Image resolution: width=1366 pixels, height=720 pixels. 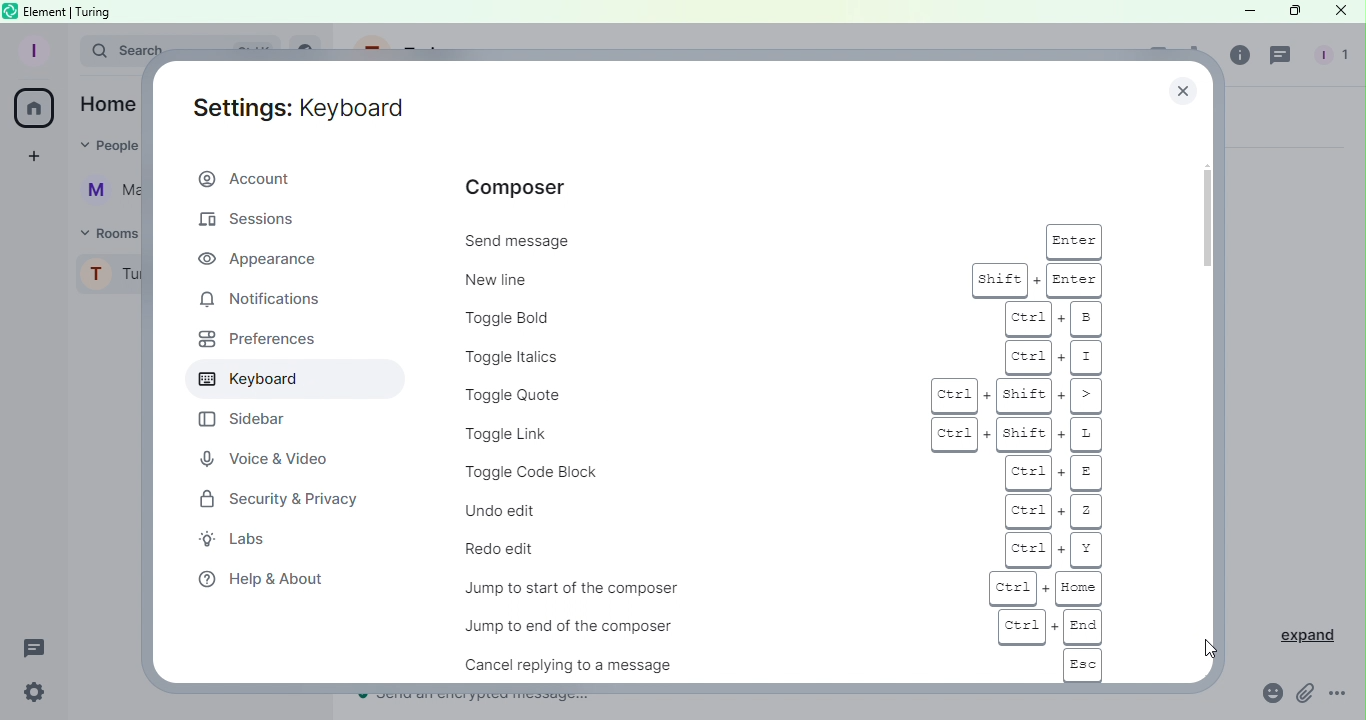 What do you see at coordinates (38, 650) in the screenshot?
I see `Threads` at bounding box center [38, 650].